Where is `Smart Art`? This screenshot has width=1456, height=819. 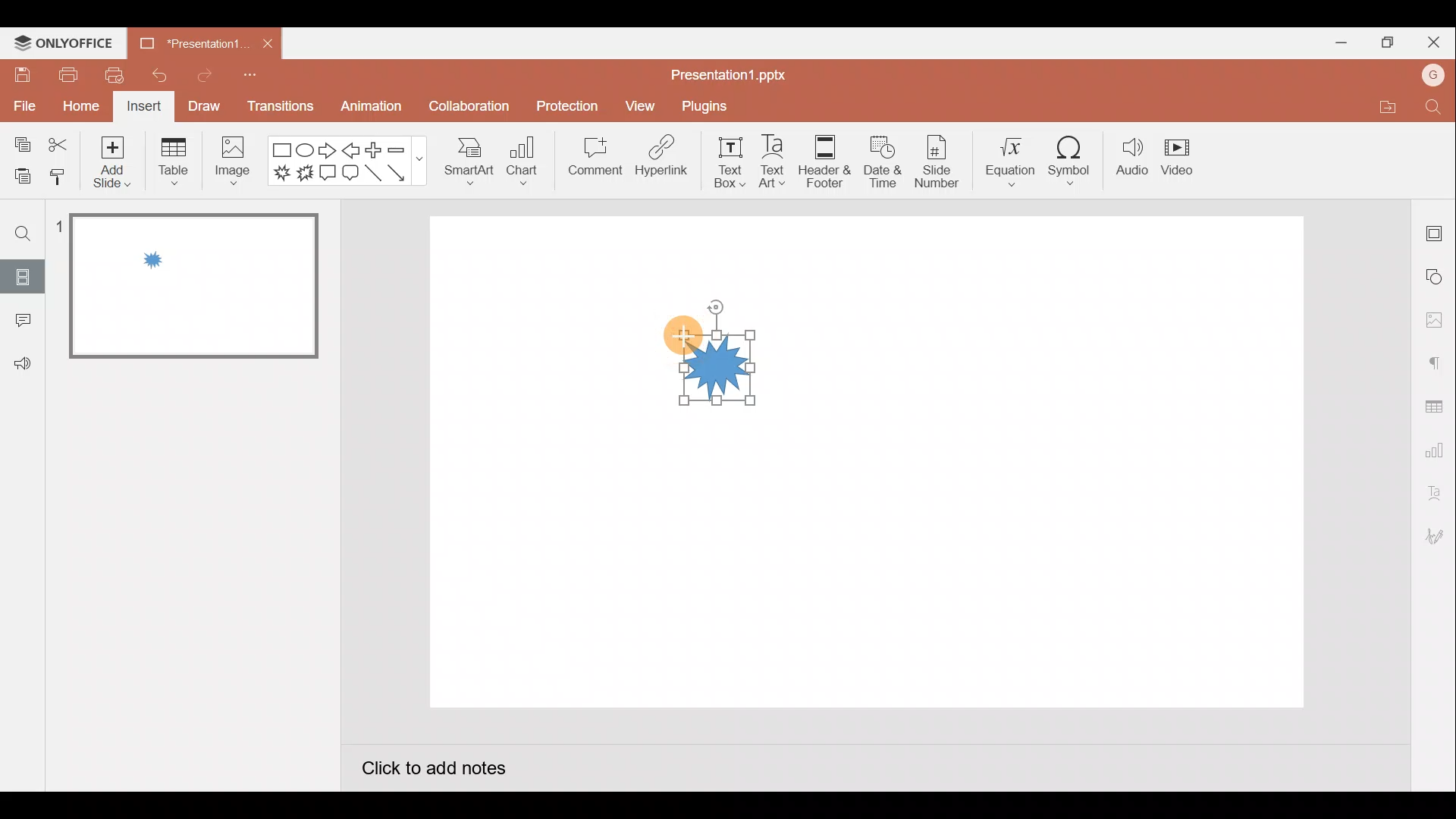 Smart Art is located at coordinates (472, 165).